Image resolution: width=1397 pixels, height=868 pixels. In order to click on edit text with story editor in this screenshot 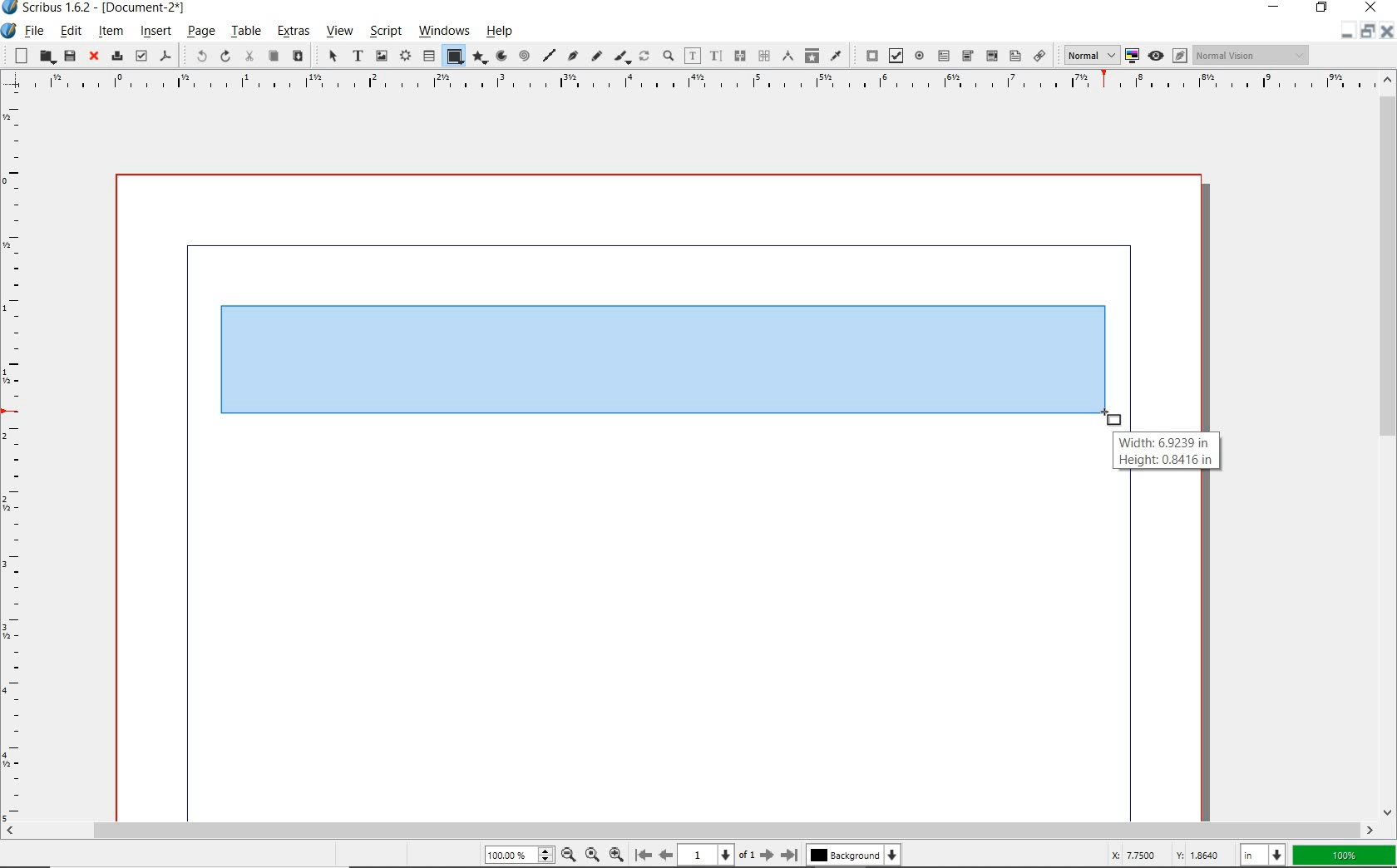, I will do `click(716, 57)`.